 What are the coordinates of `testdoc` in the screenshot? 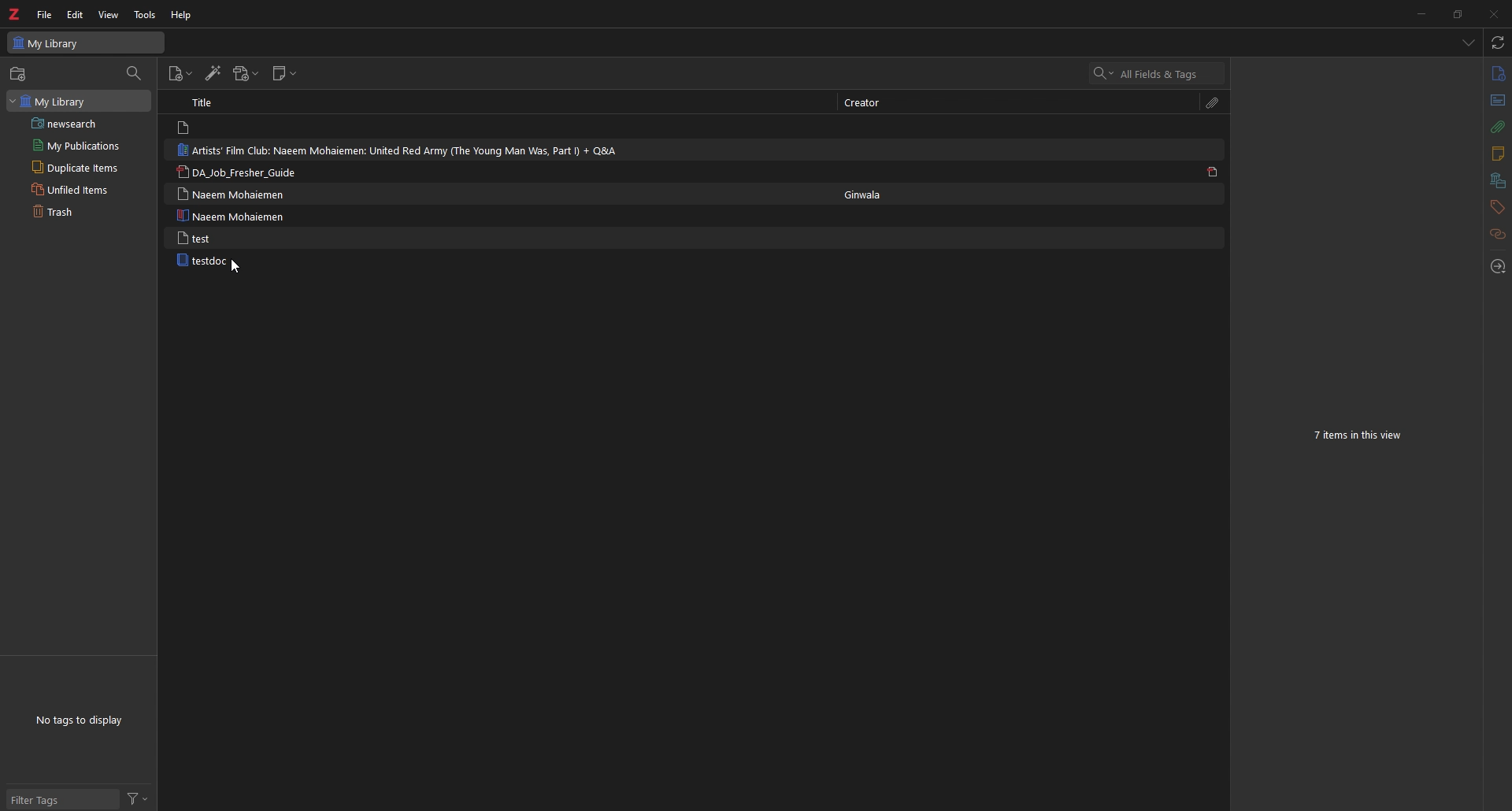 It's located at (205, 261).